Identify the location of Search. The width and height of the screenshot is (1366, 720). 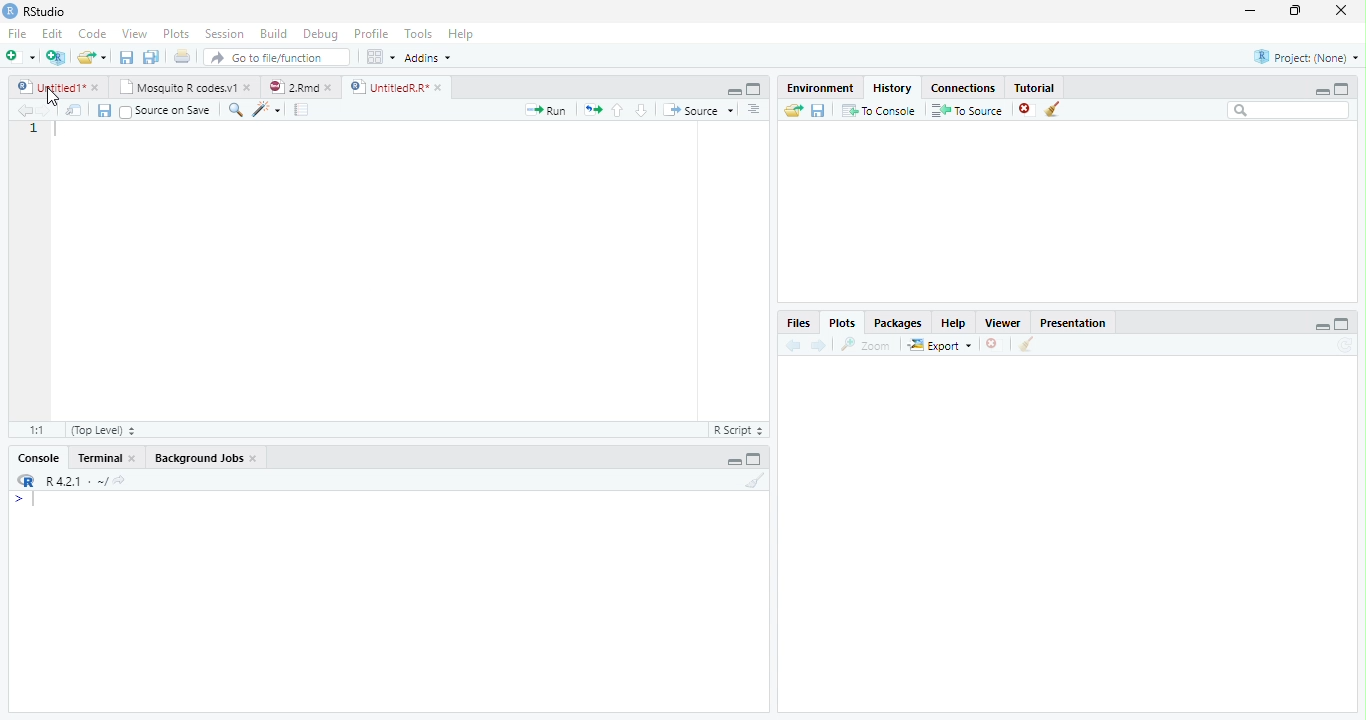
(1289, 110).